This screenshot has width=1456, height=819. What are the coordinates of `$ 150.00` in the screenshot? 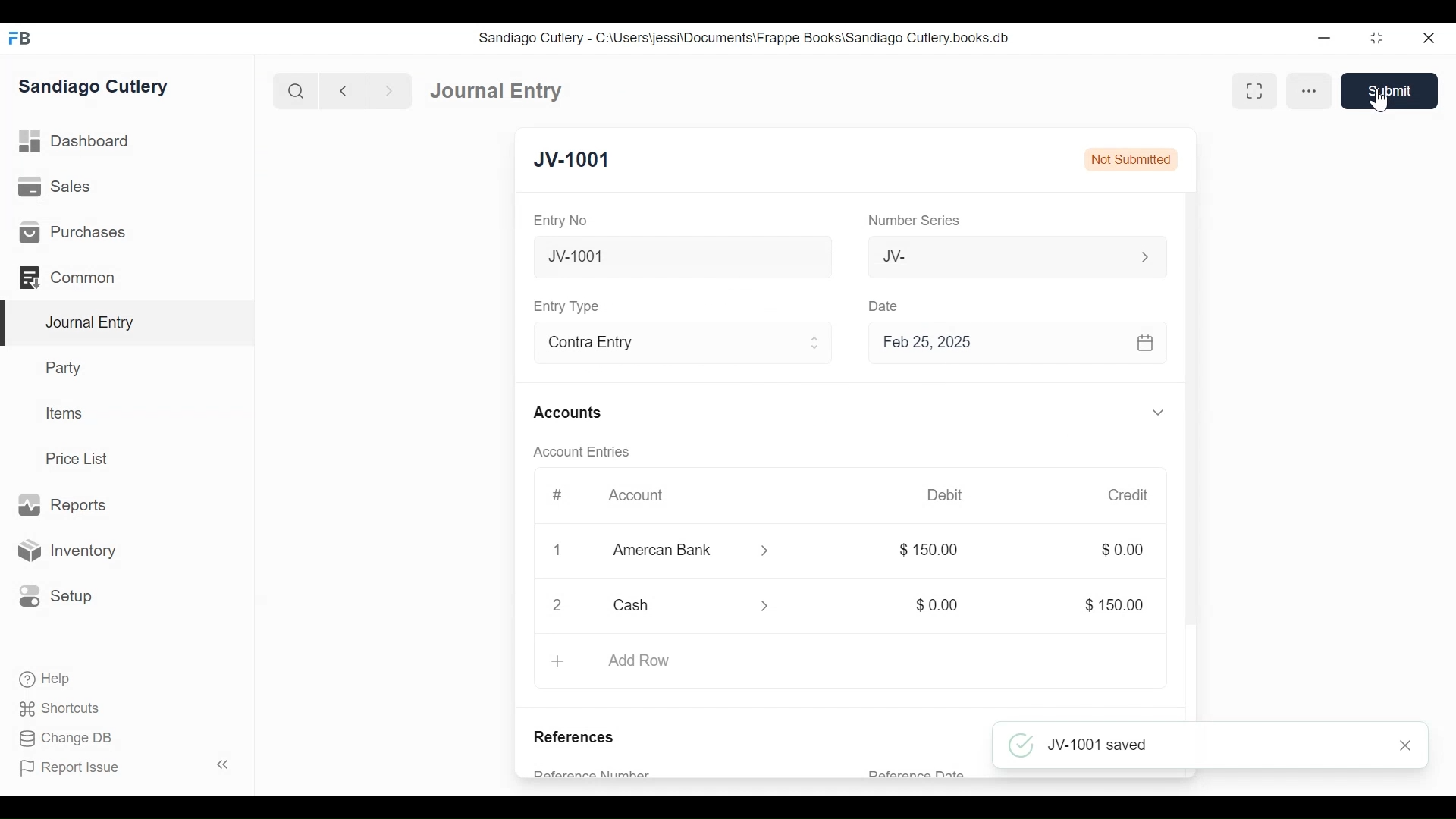 It's located at (1113, 606).